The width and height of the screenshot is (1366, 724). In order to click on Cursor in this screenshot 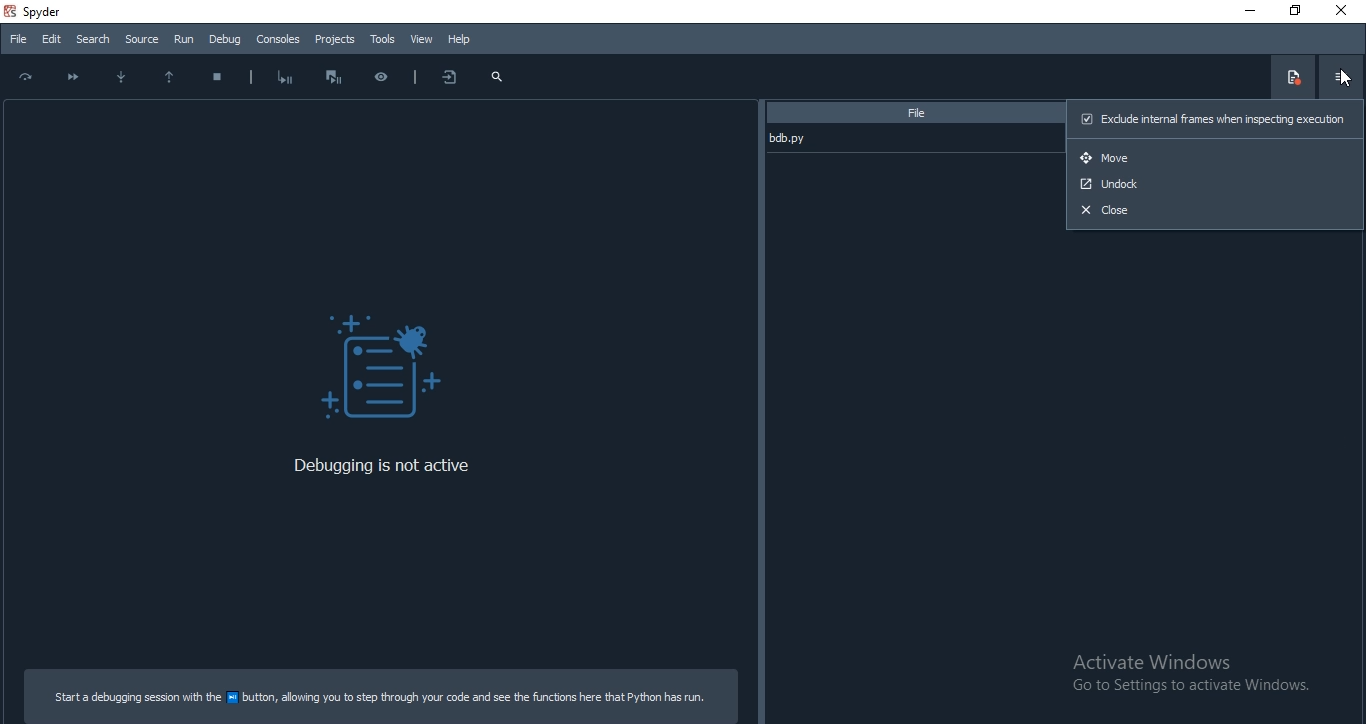, I will do `click(1344, 79)`.